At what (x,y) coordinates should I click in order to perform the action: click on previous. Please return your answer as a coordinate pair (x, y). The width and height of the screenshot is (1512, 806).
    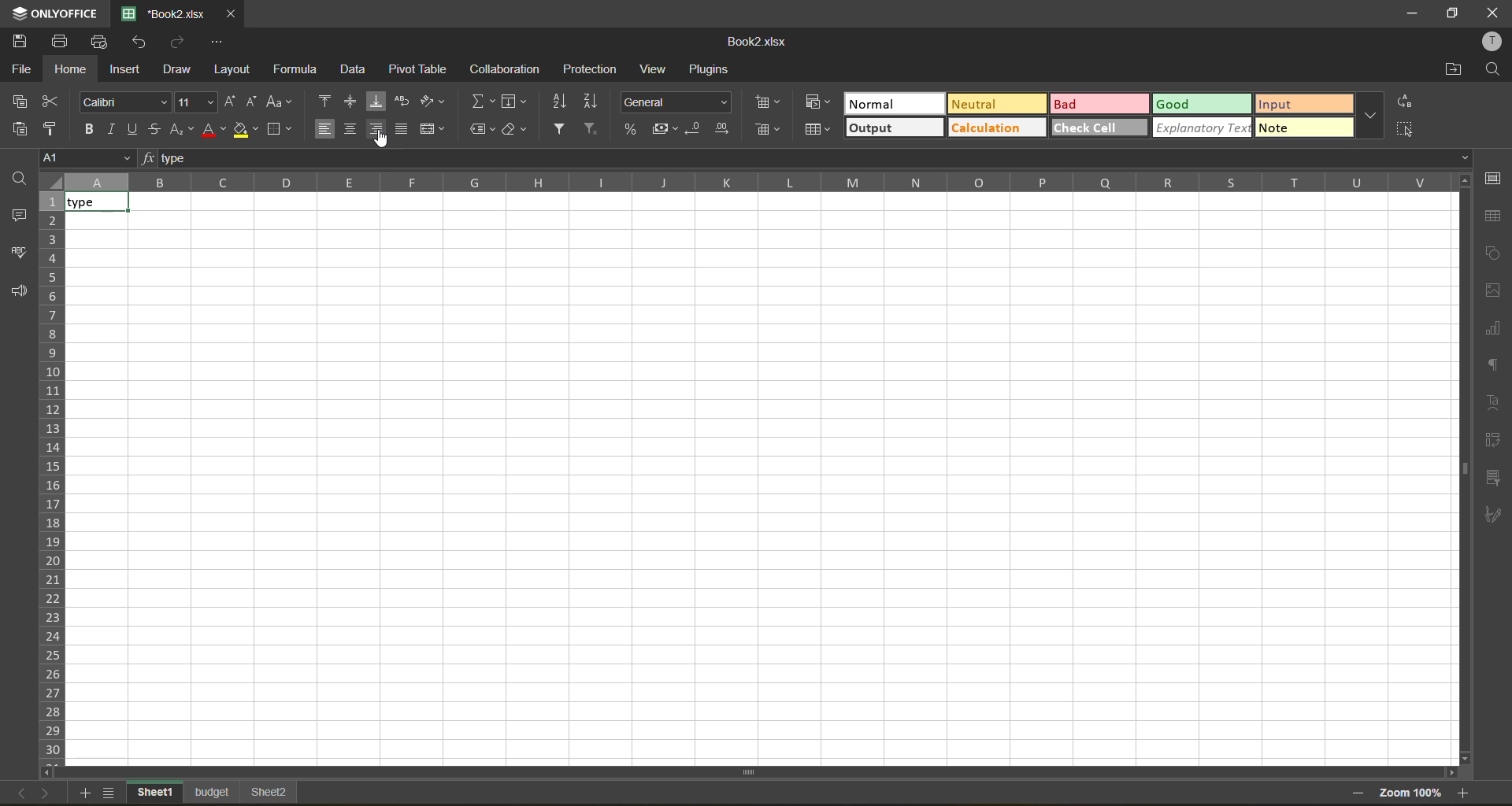
    Looking at the image, I should click on (15, 791).